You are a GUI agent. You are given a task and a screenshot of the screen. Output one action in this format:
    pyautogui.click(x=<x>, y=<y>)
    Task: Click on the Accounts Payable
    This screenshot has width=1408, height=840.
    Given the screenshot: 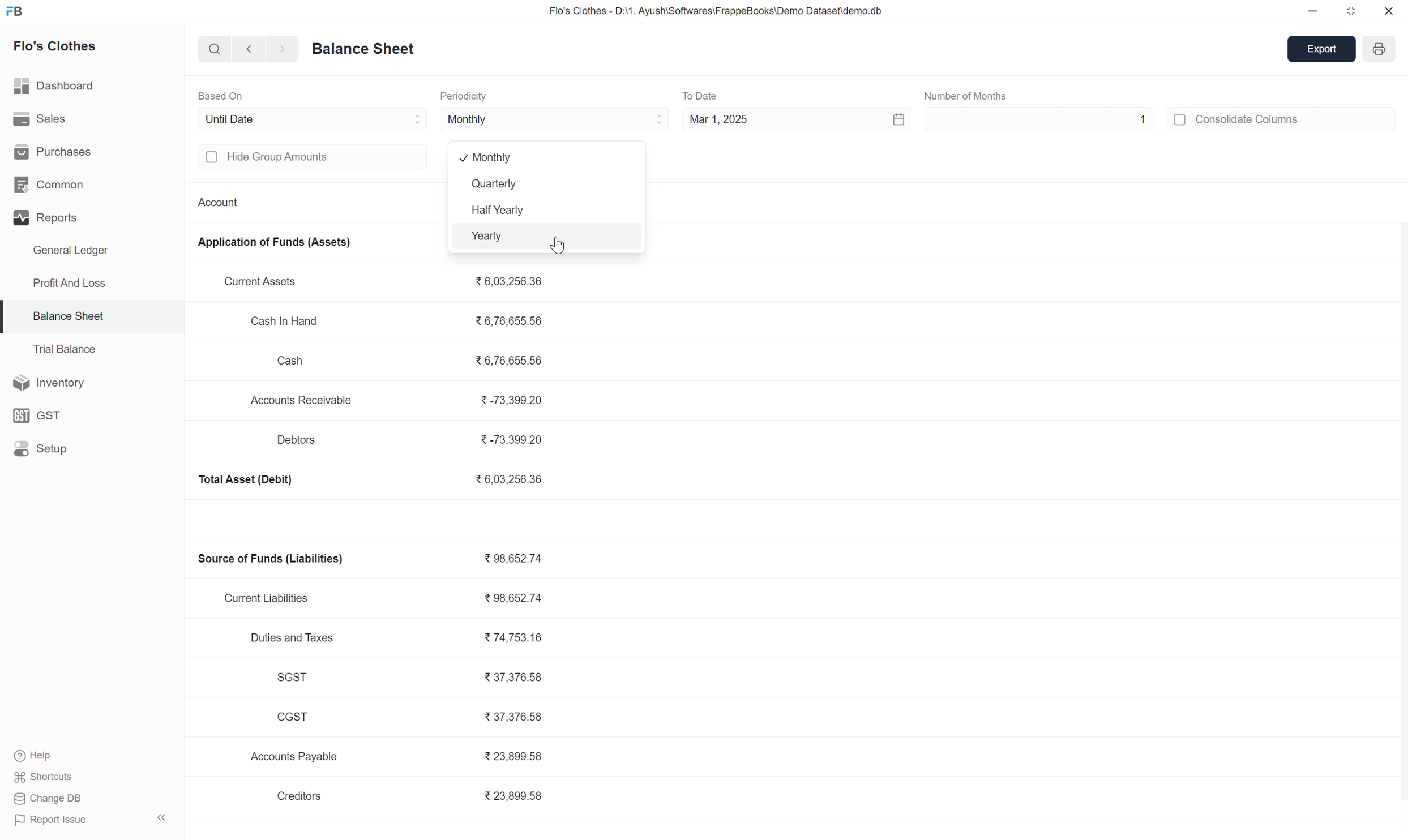 What is the action you would take?
    pyautogui.click(x=303, y=756)
    